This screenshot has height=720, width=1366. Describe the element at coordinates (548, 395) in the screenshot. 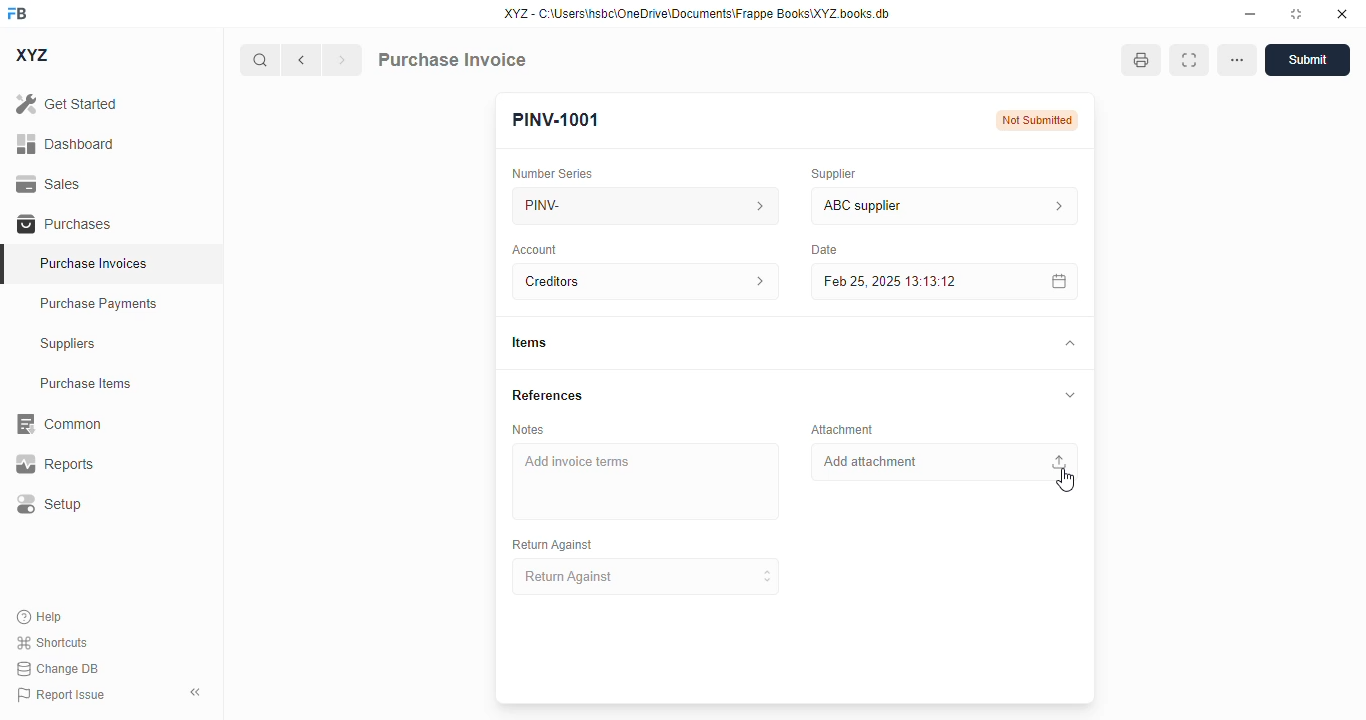

I see `references` at that location.